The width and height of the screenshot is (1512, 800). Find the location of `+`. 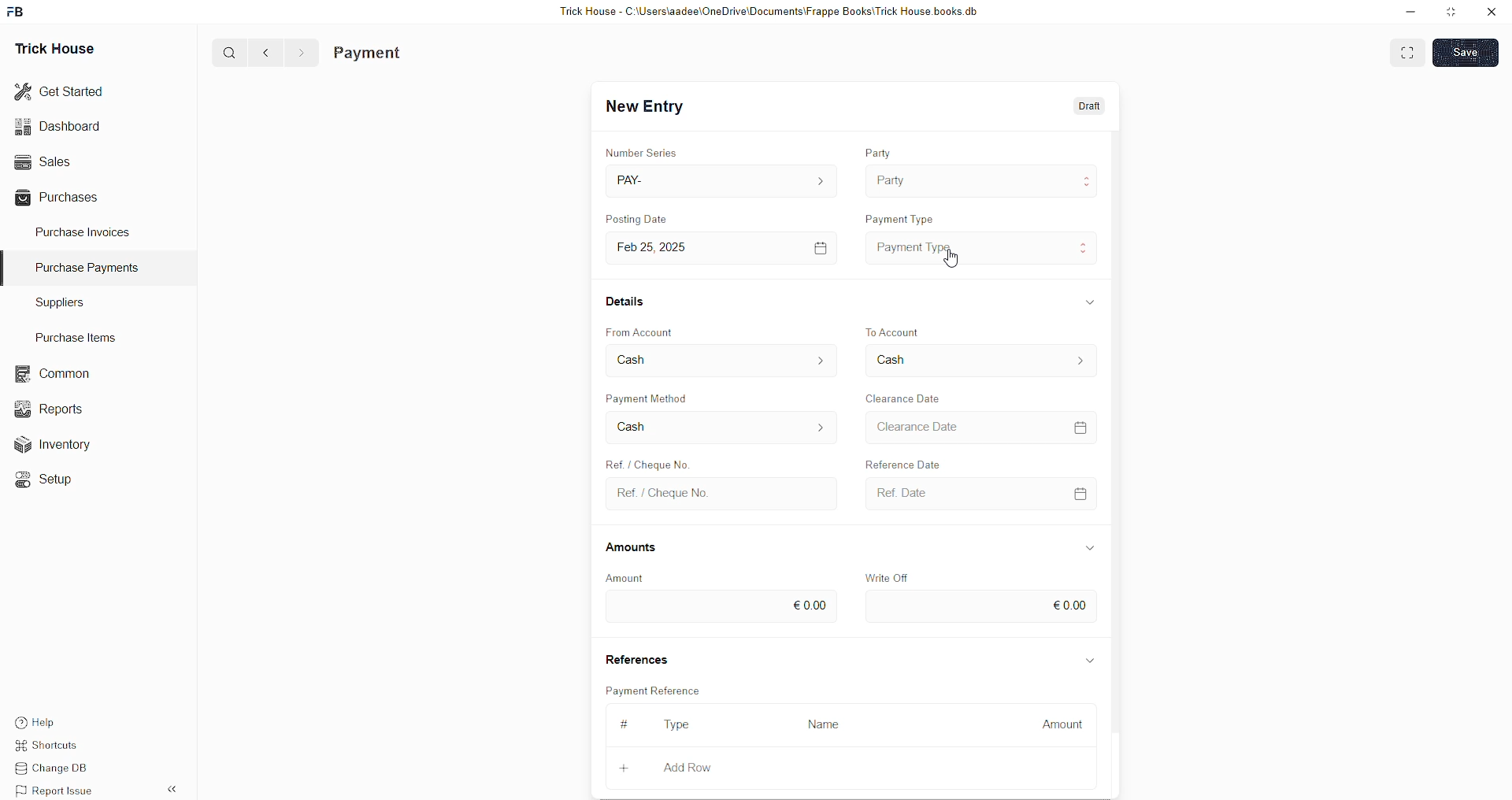

+ is located at coordinates (626, 765).